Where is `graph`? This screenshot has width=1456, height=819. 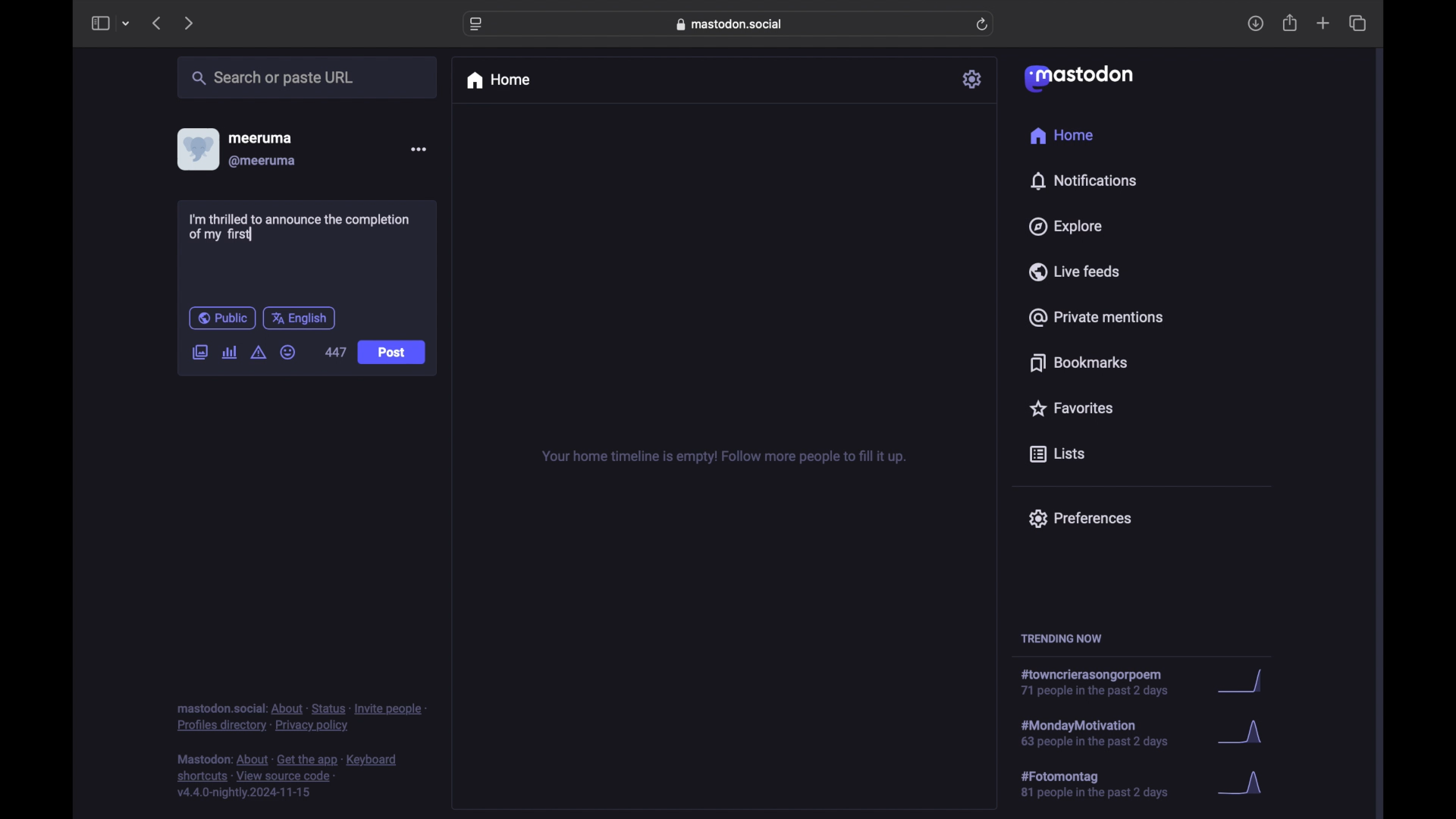
graph is located at coordinates (1245, 784).